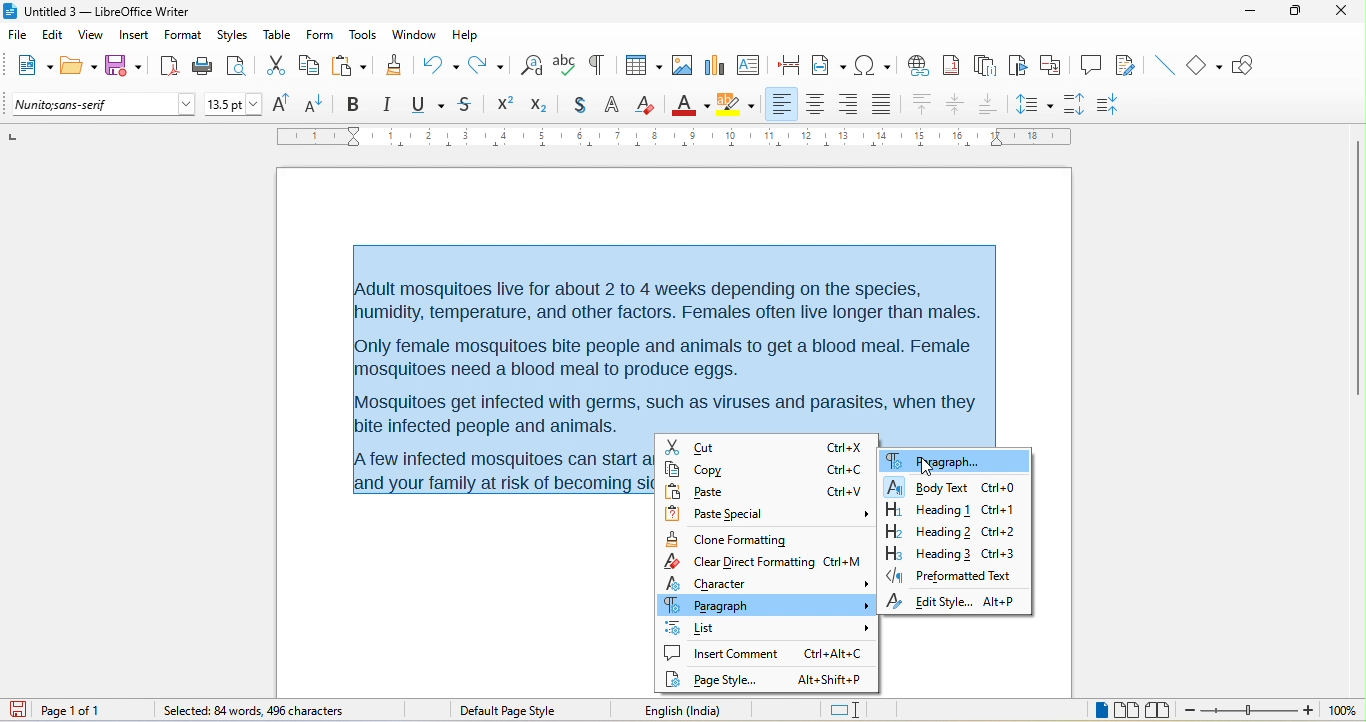 Image resolution: width=1366 pixels, height=722 pixels. I want to click on shortcut key, so click(1001, 532).